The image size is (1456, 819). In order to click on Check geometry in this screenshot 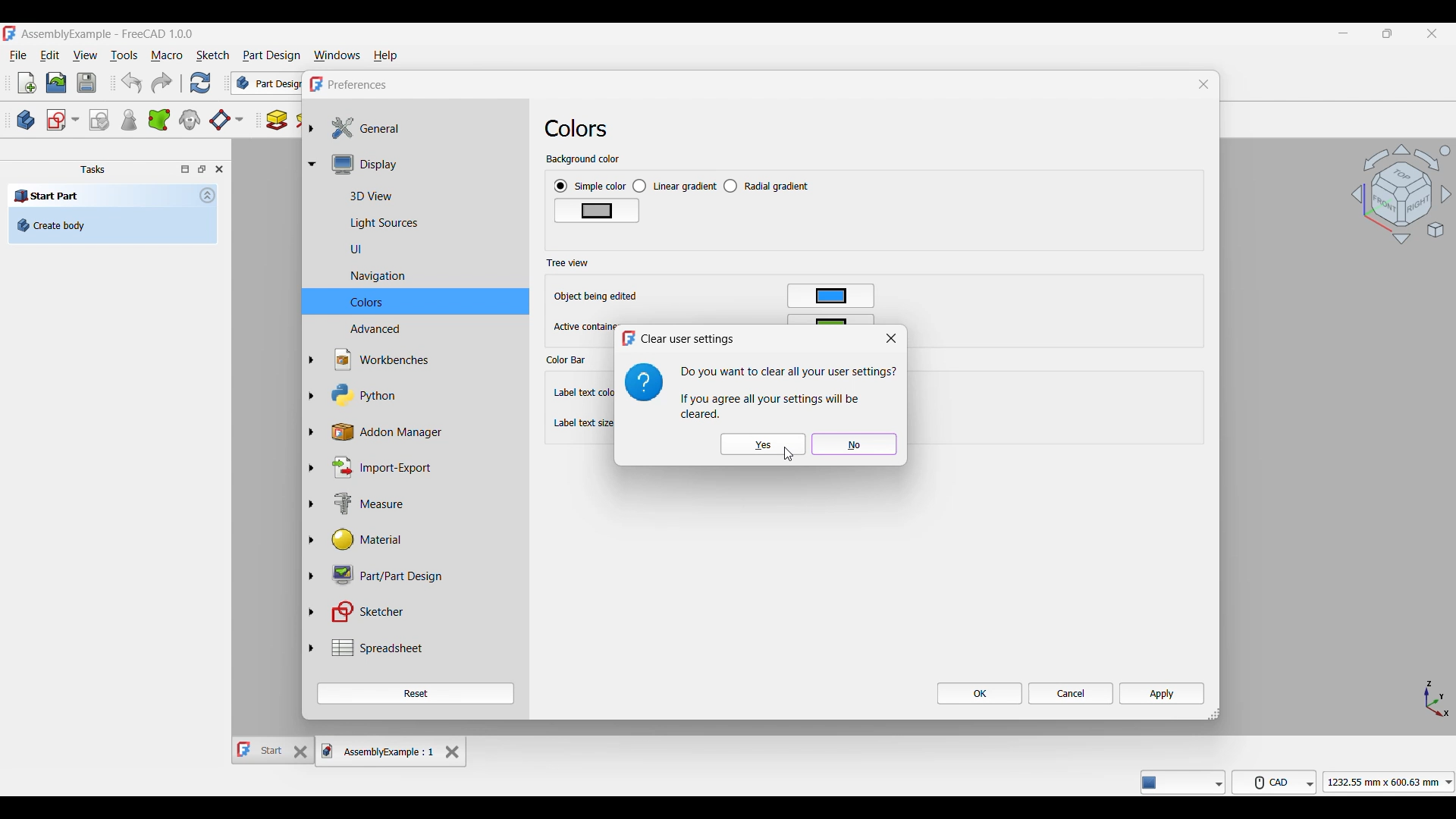, I will do `click(128, 119)`.